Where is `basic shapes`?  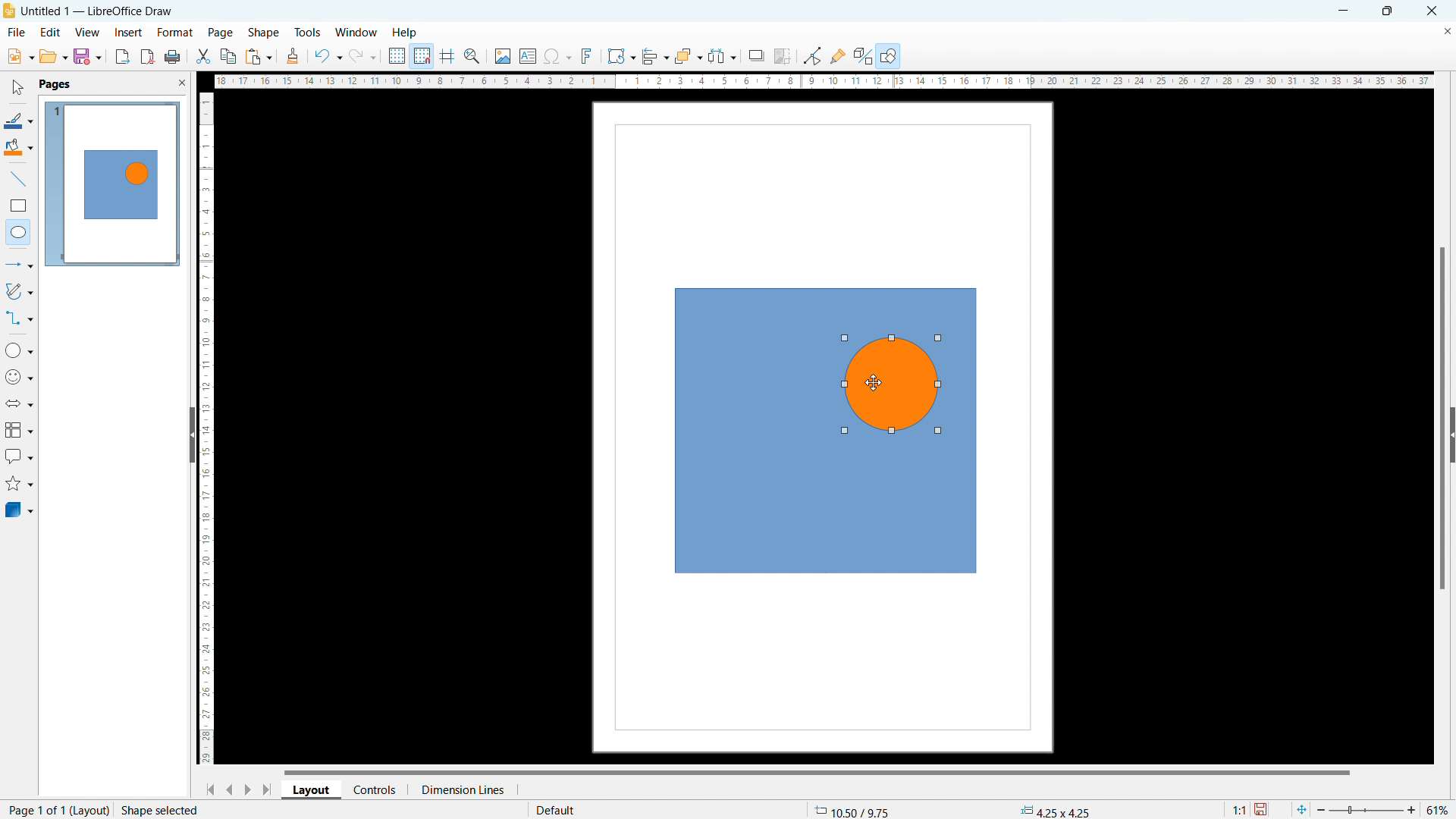 basic shapes is located at coordinates (19, 350).